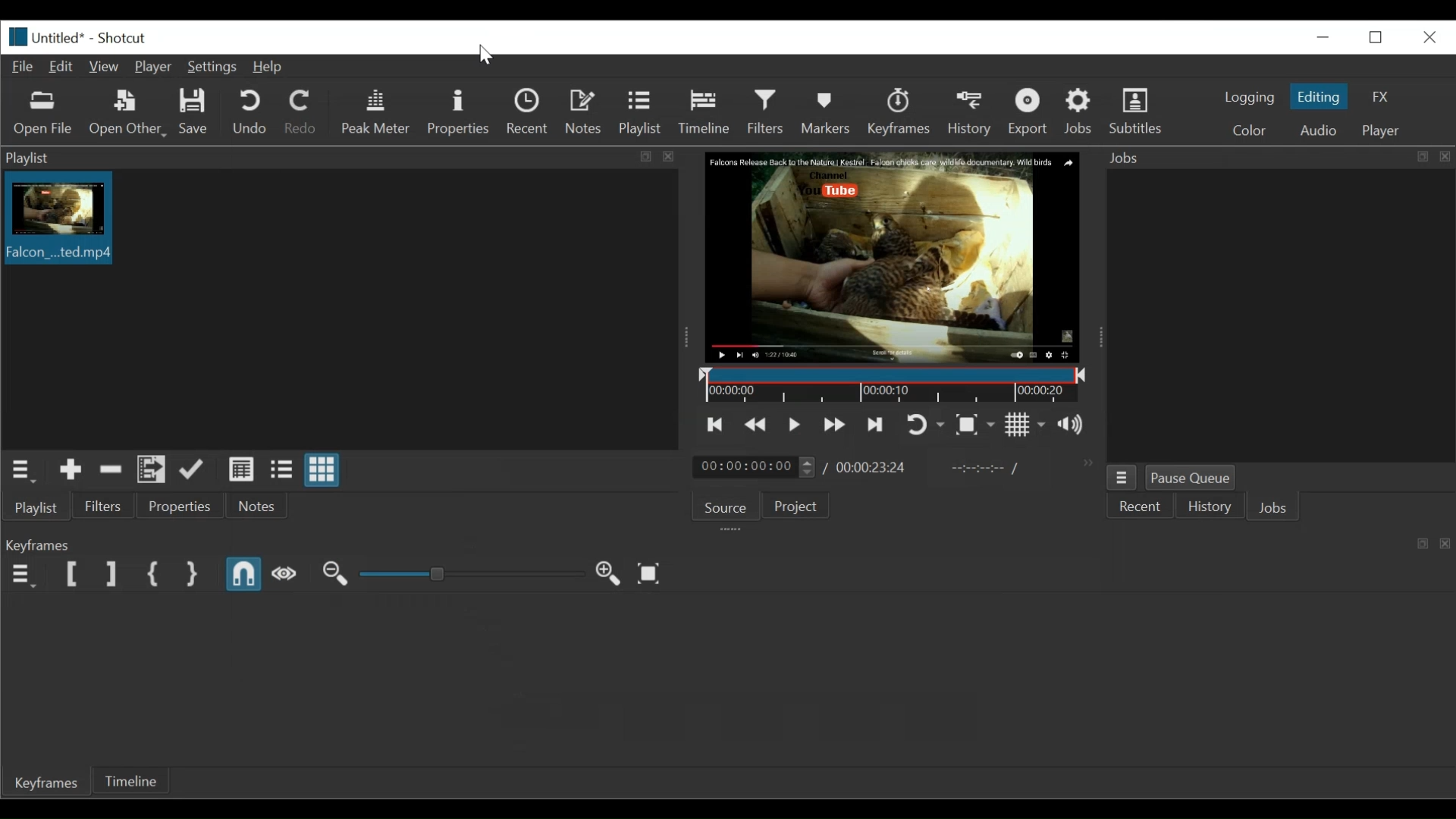 Image resolution: width=1456 pixels, height=819 pixels. What do you see at coordinates (377, 114) in the screenshot?
I see `Peak Meter` at bounding box center [377, 114].